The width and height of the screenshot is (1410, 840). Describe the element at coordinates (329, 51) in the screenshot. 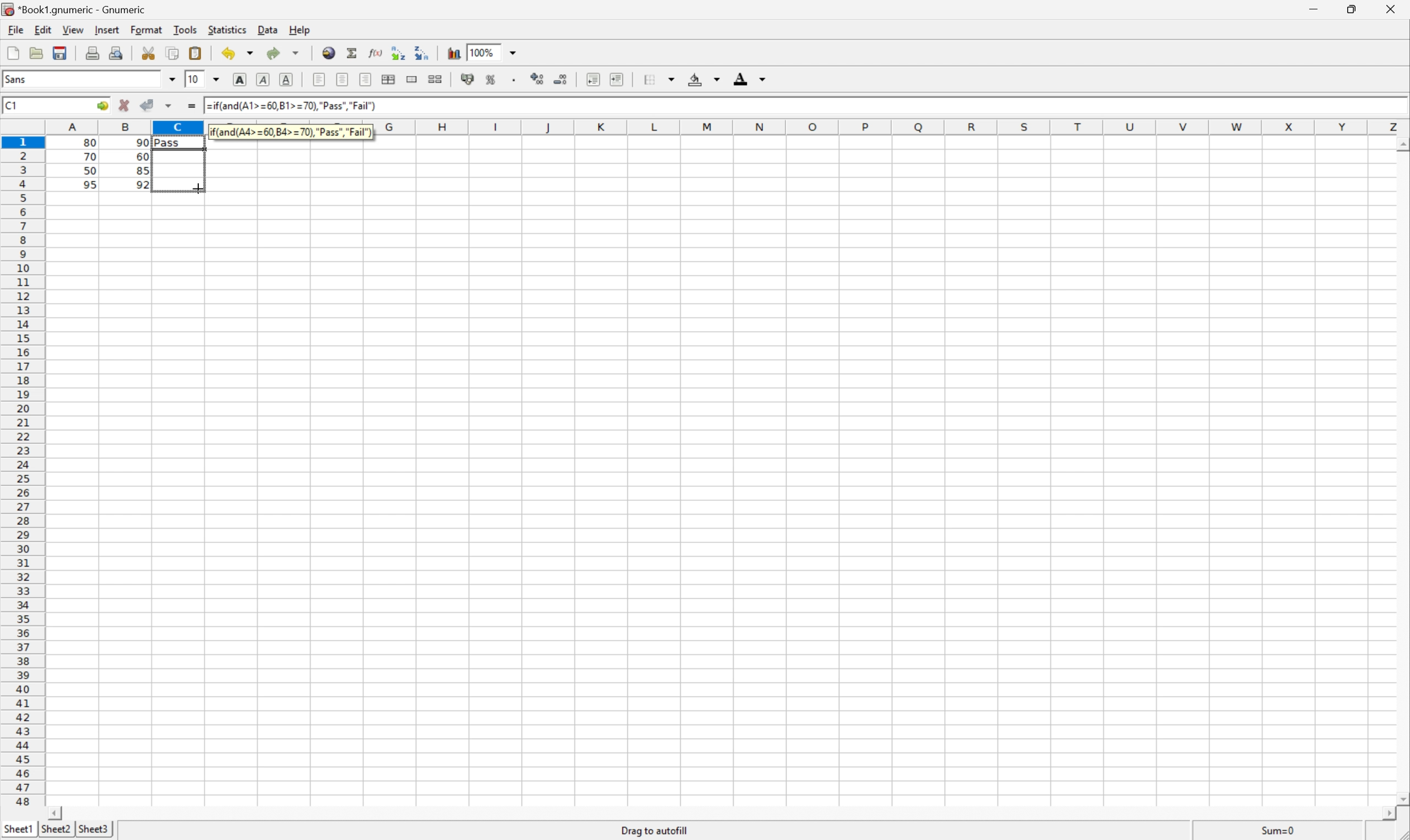

I see `Insert hyperlink` at that location.